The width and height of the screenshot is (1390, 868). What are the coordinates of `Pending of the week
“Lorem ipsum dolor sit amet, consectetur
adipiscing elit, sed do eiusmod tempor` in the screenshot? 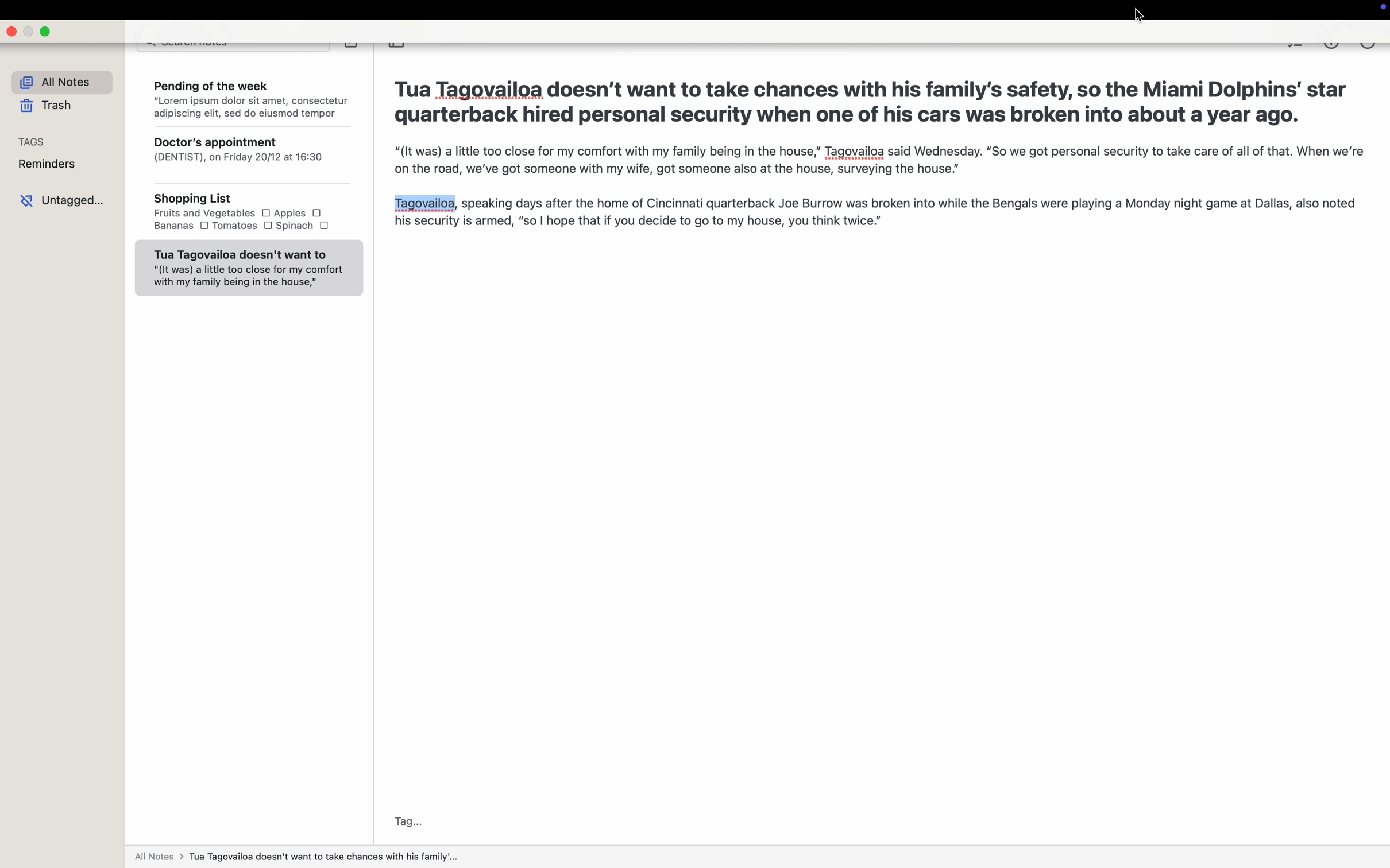 It's located at (249, 97).